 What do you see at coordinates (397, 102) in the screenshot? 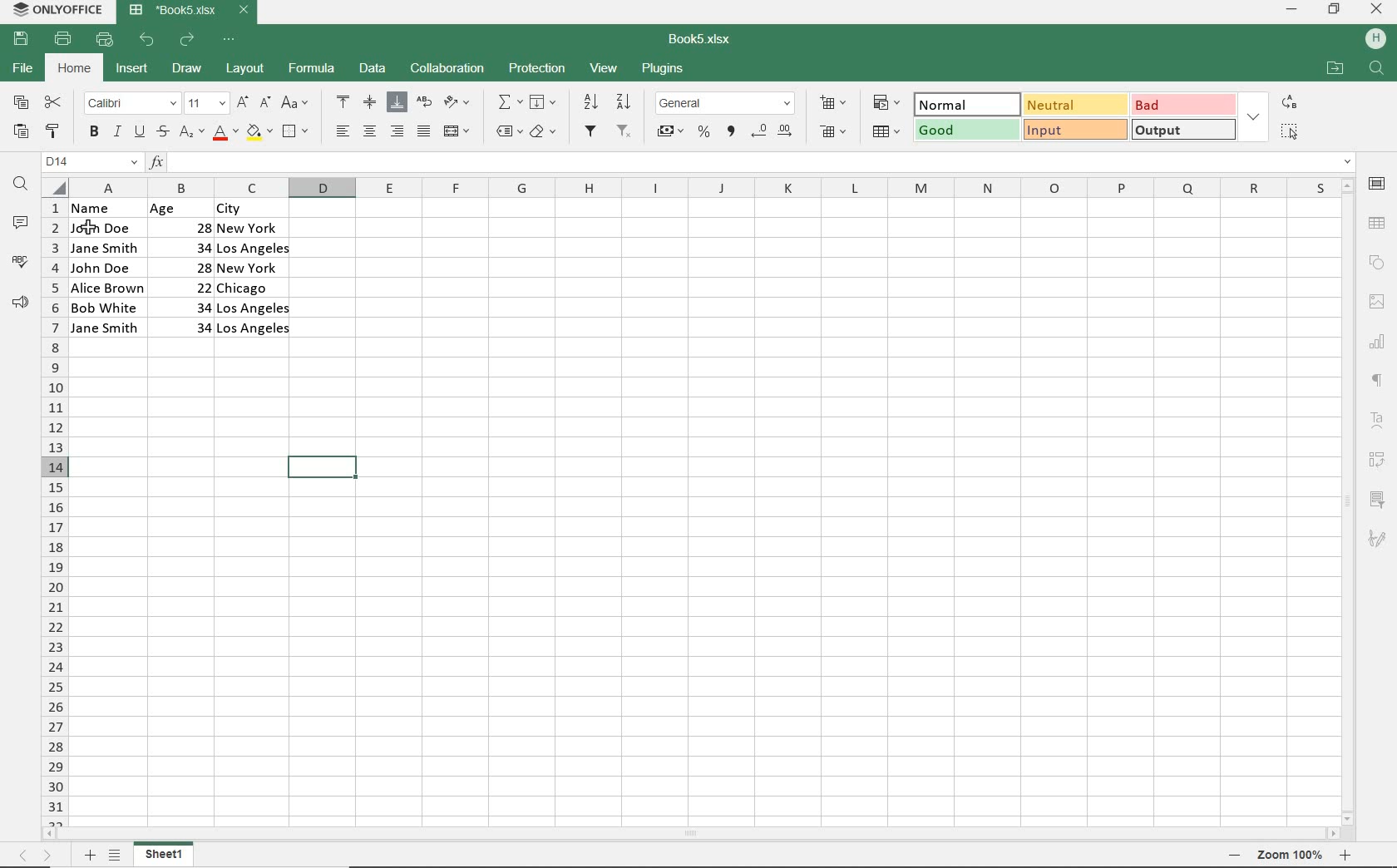
I see `ALIGN BOTTOM` at bounding box center [397, 102].